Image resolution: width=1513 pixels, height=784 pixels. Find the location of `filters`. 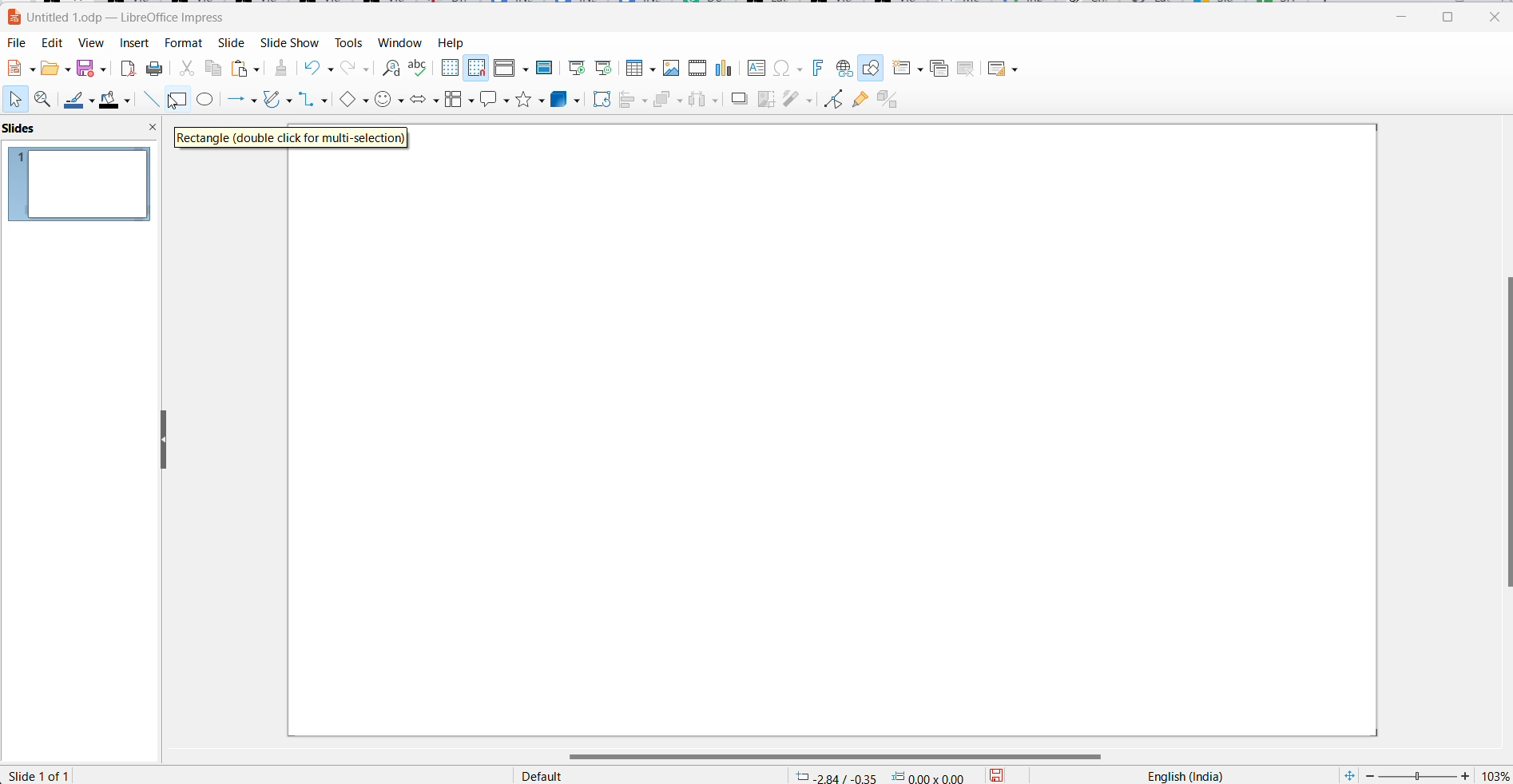

filters is located at coordinates (798, 98).